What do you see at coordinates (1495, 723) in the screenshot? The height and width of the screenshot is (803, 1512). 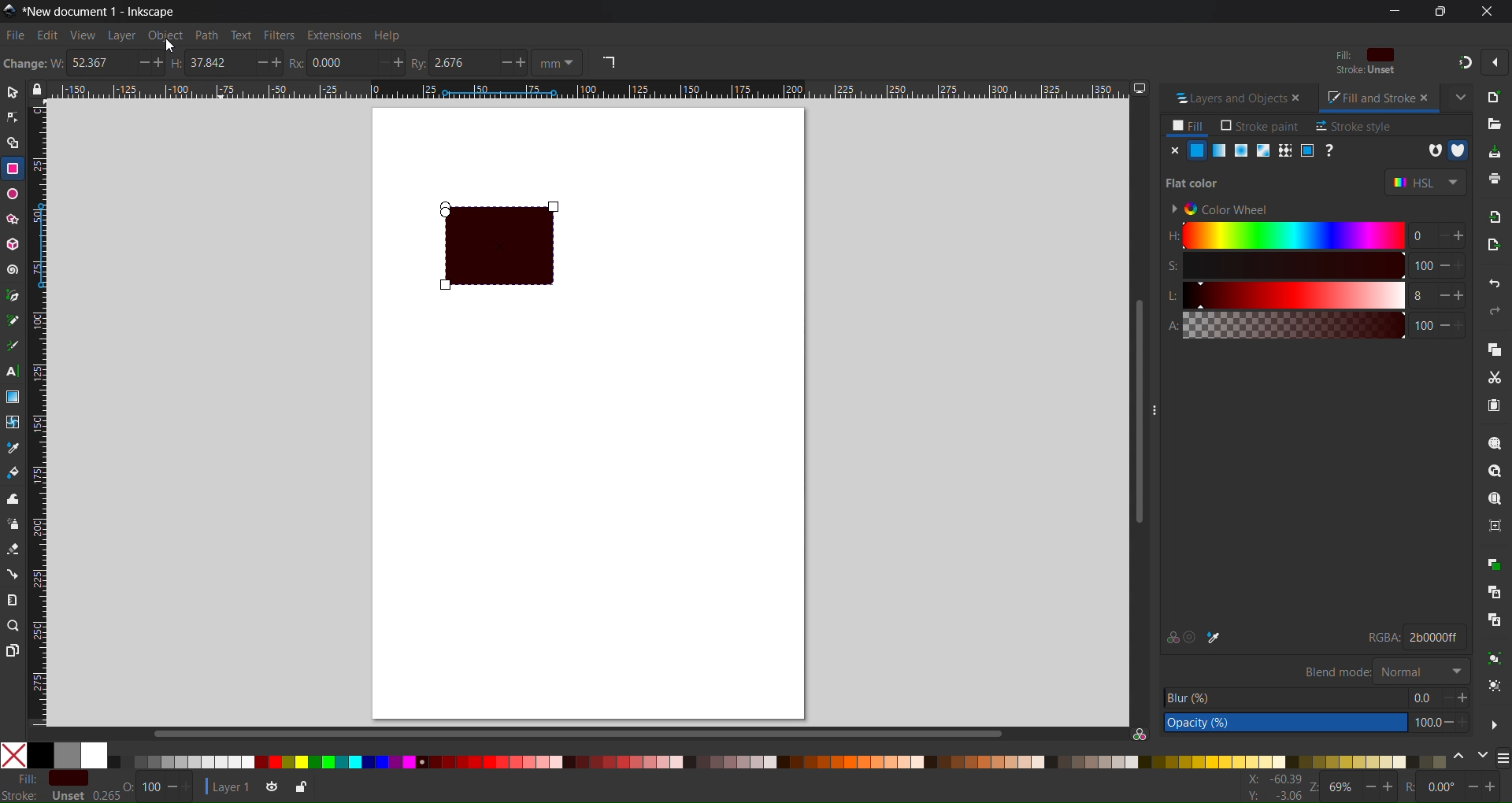 I see `Preferences` at bounding box center [1495, 723].